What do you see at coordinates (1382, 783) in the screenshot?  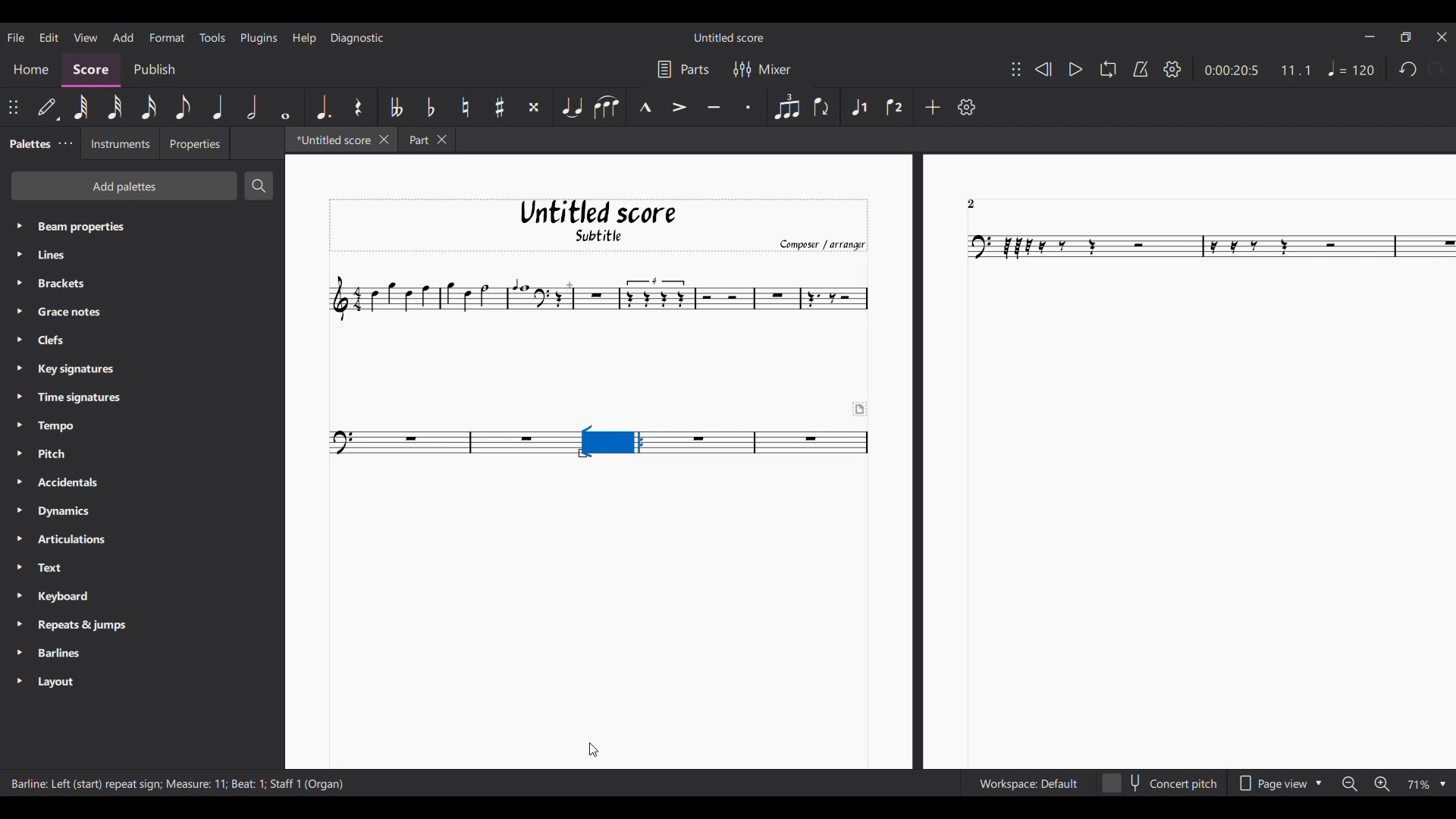 I see `Zoom in` at bounding box center [1382, 783].